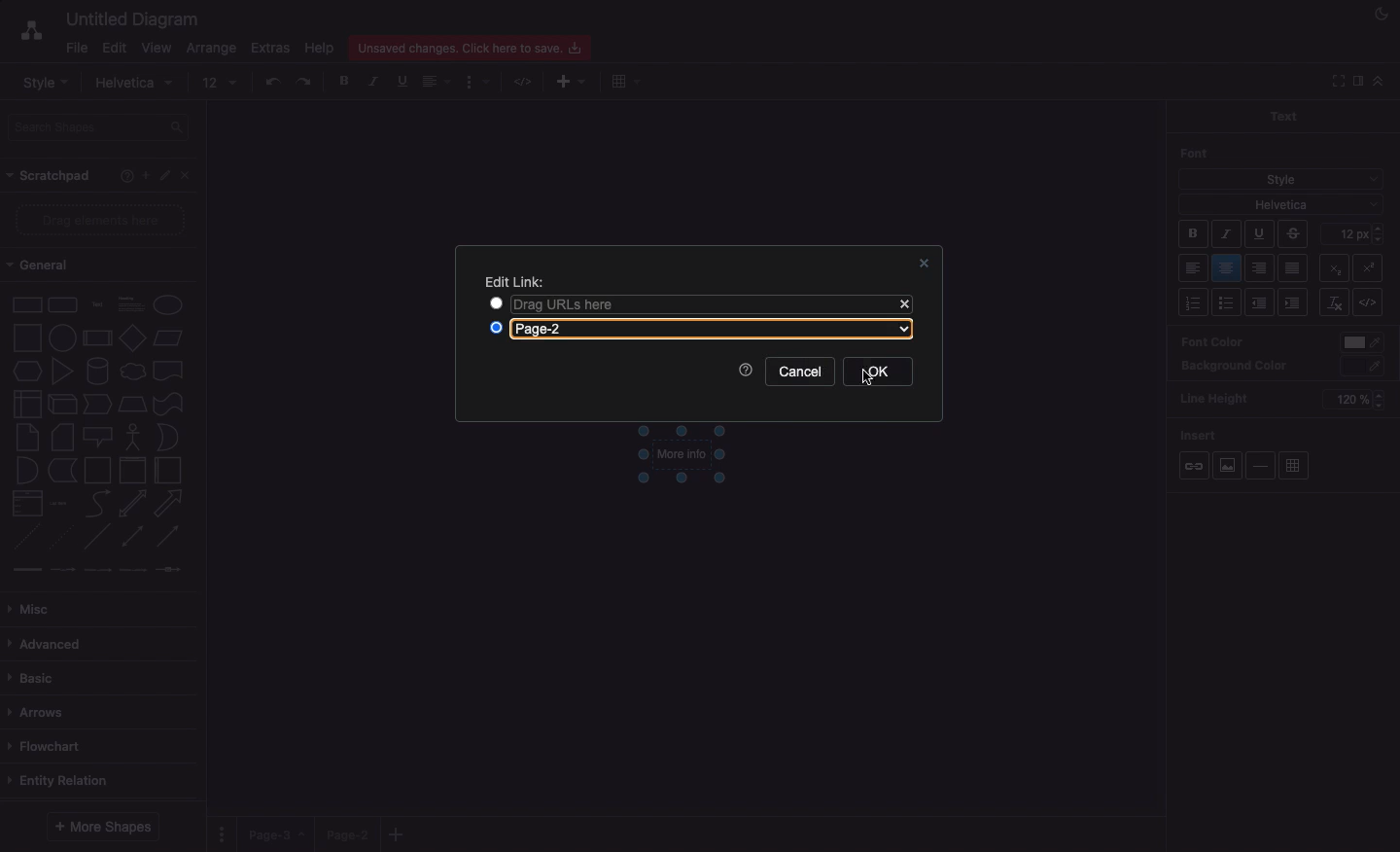  Describe the element at coordinates (1294, 467) in the screenshot. I see `Table` at that location.